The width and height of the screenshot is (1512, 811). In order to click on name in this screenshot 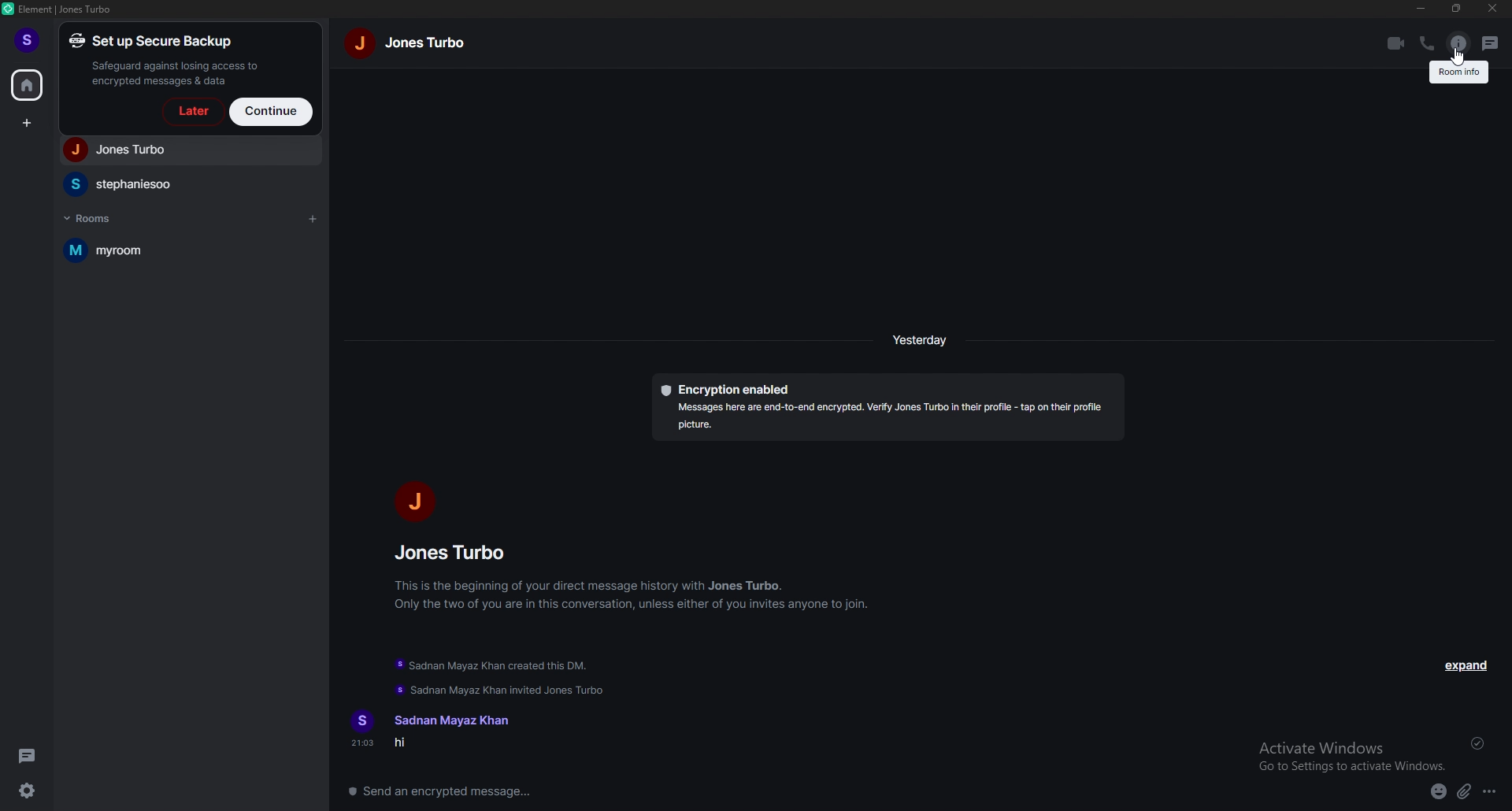, I will do `click(409, 42)`.